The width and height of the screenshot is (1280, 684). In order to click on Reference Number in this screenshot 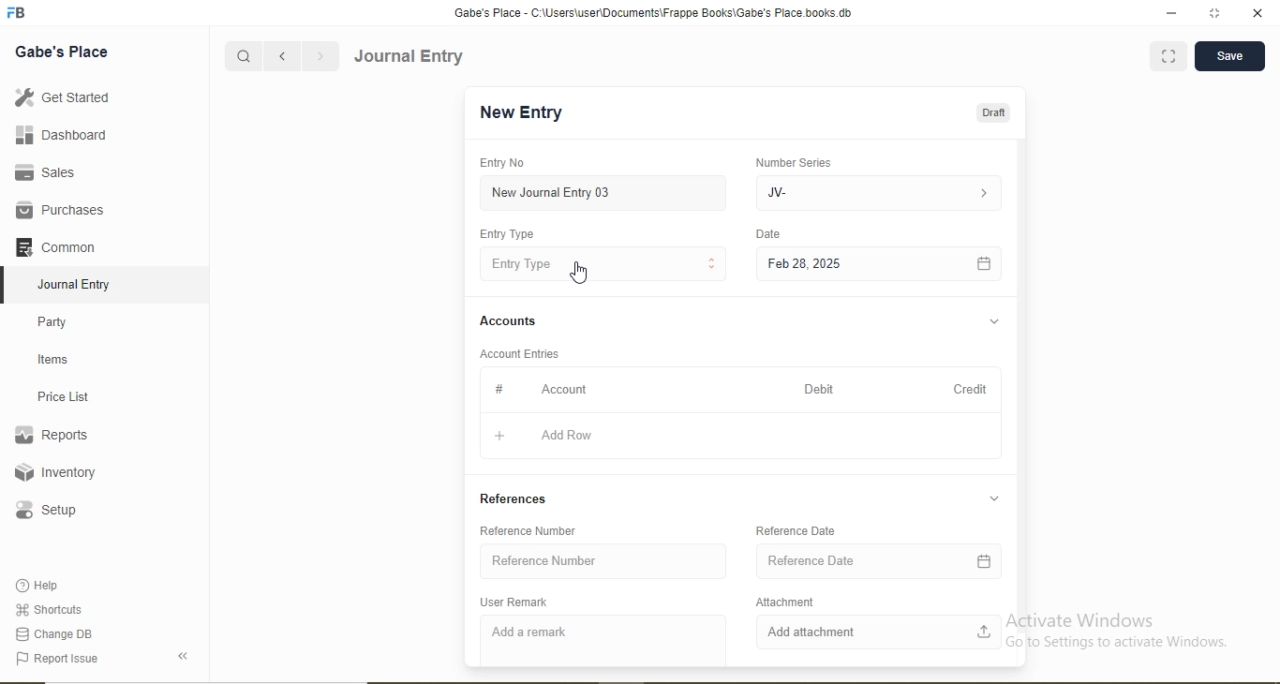, I will do `click(544, 560)`.